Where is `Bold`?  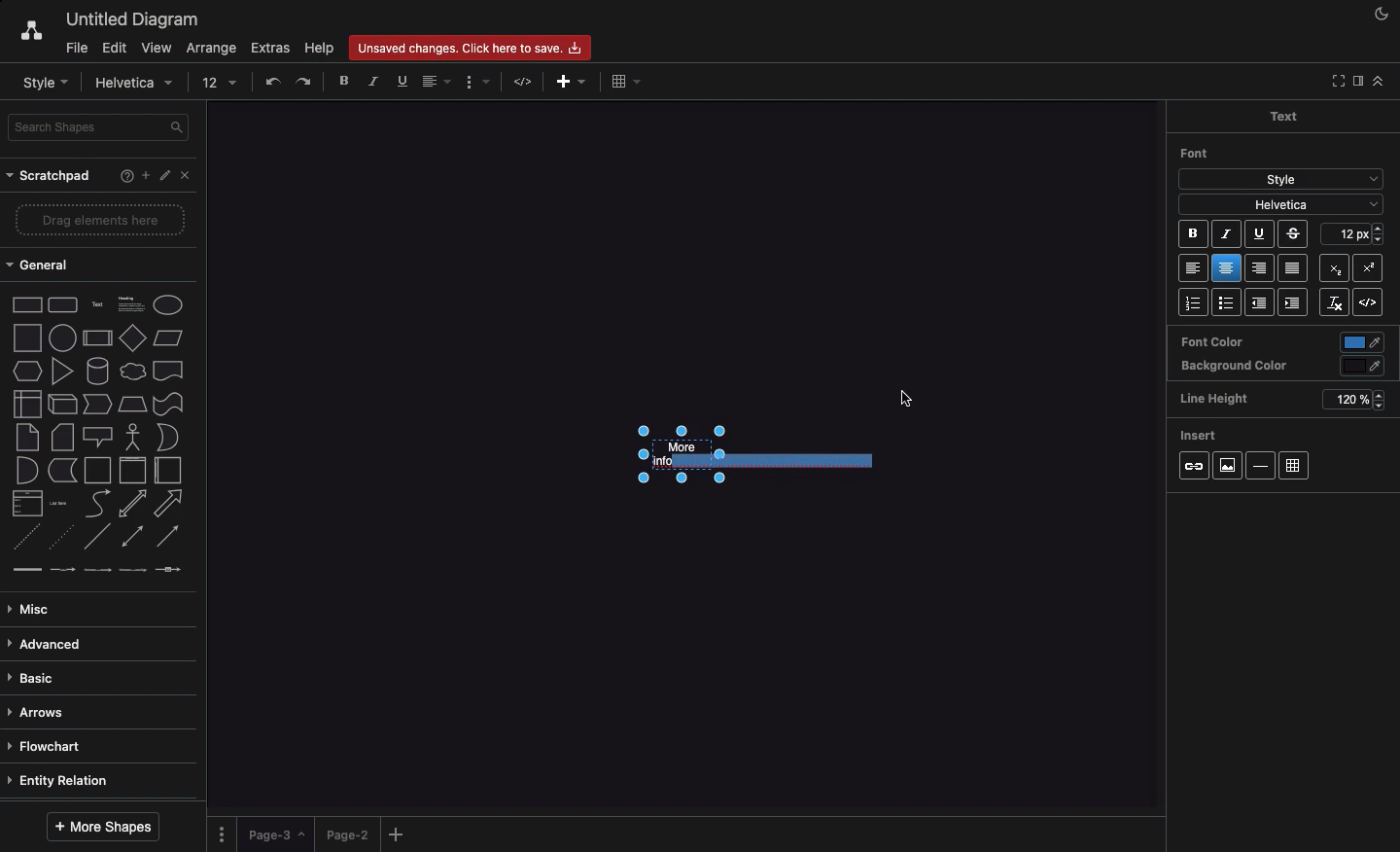 Bold is located at coordinates (1194, 236).